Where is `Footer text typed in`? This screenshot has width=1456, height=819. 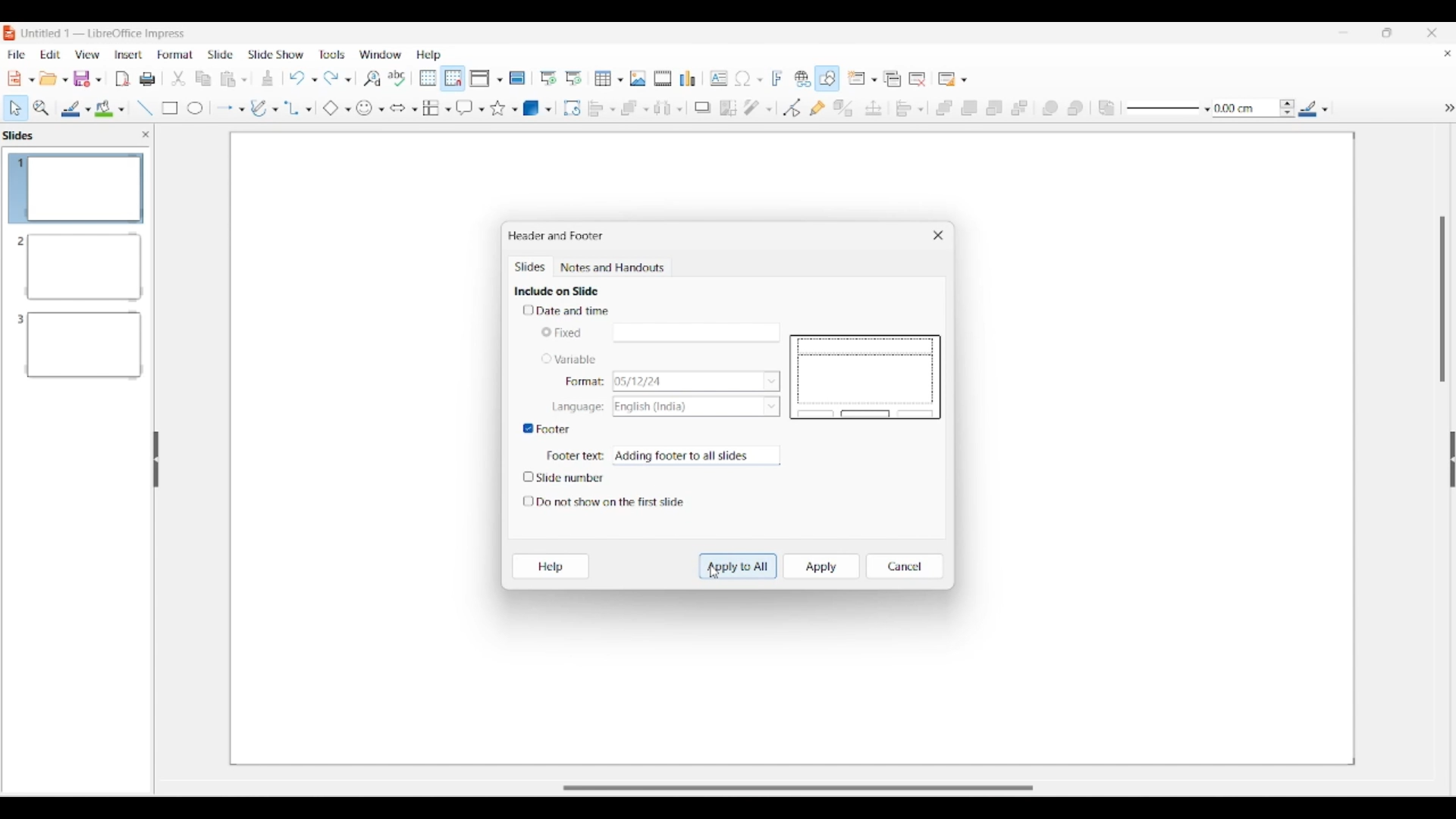
Footer text typed in is located at coordinates (682, 456).